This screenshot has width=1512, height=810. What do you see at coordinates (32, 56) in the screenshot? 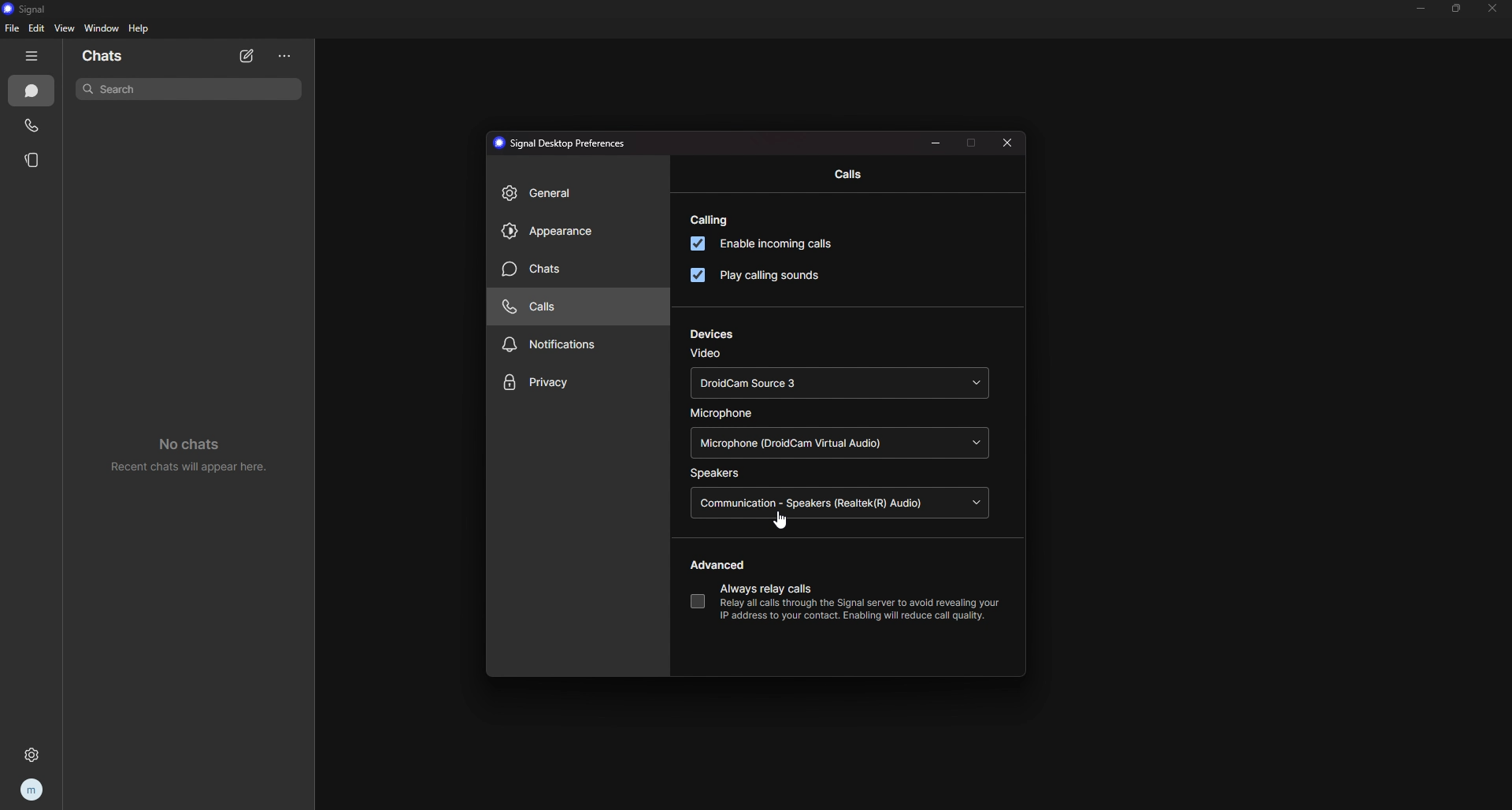
I see `hide tab` at bounding box center [32, 56].